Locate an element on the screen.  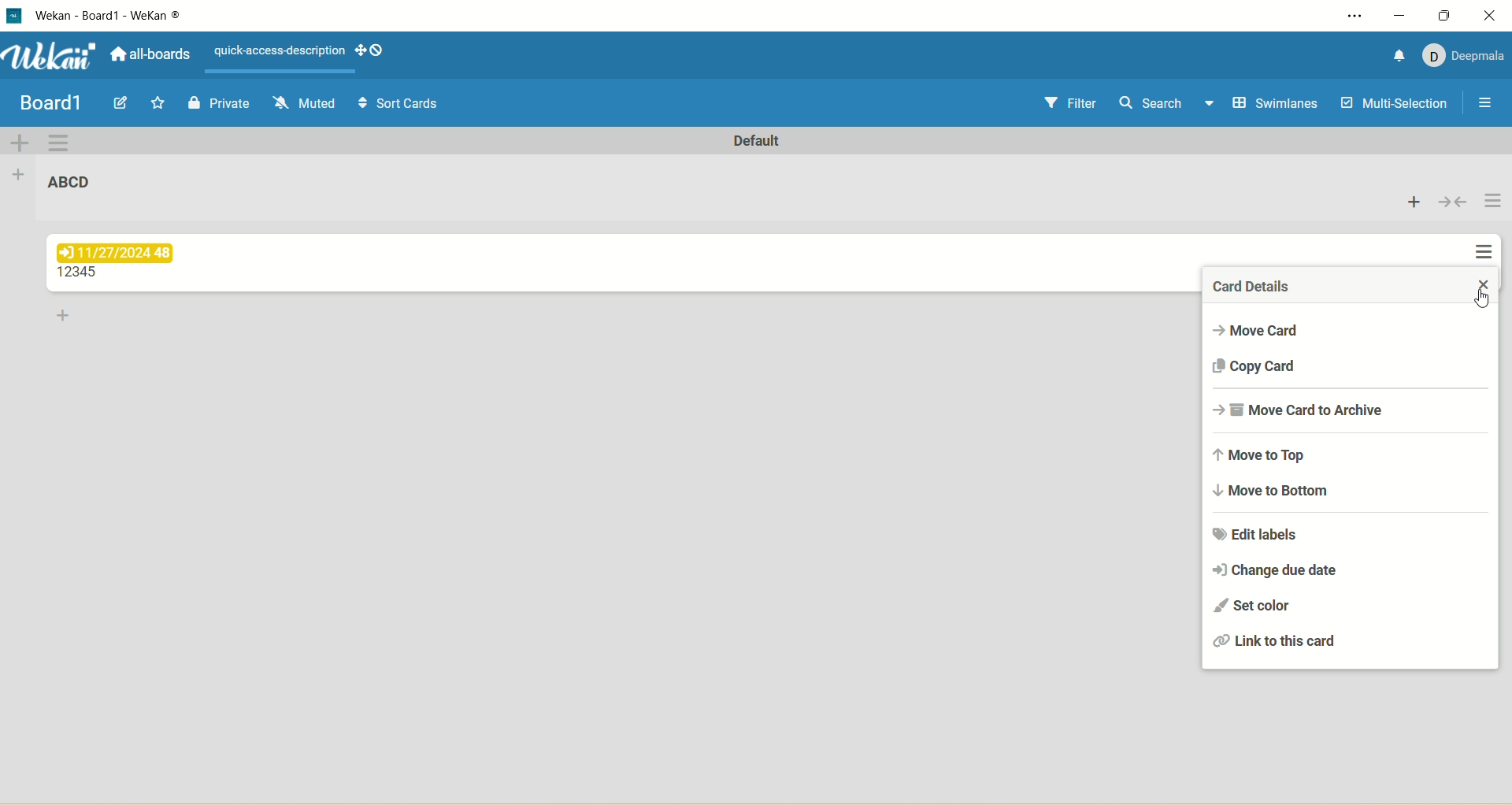
open/close sidebar is located at coordinates (1488, 106).